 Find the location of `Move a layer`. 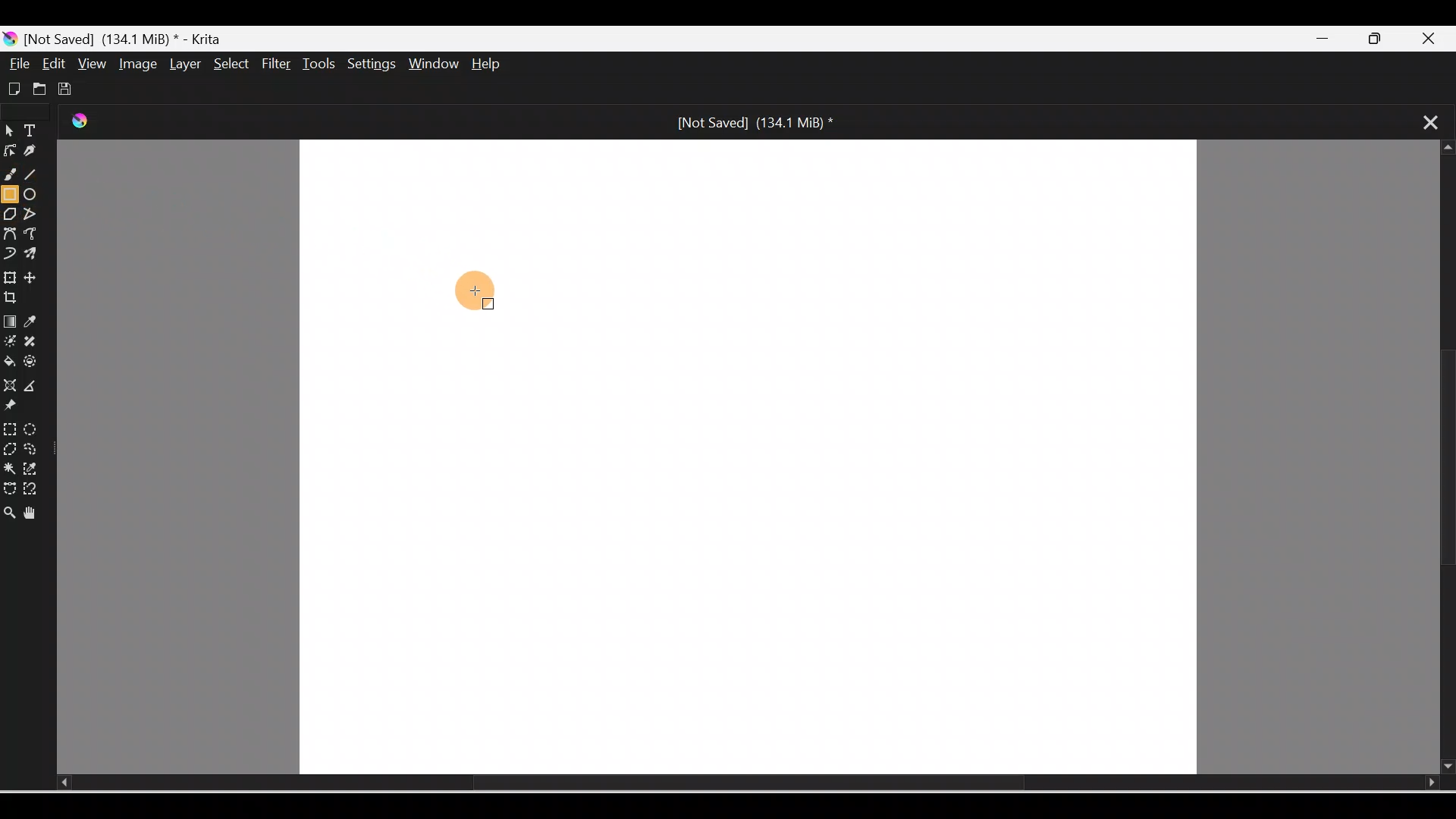

Move a layer is located at coordinates (37, 278).